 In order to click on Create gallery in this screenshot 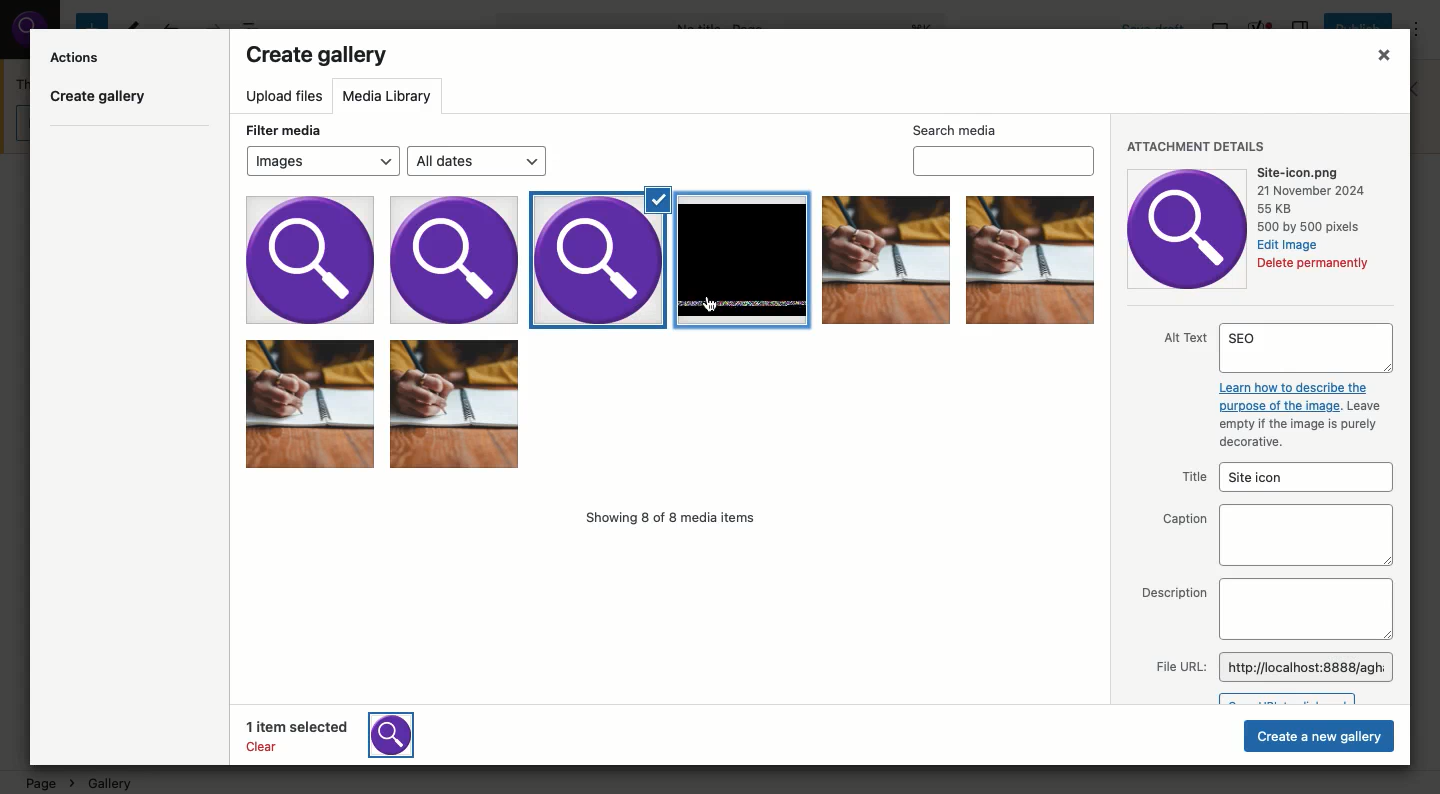, I will do `click(100, 100)`.